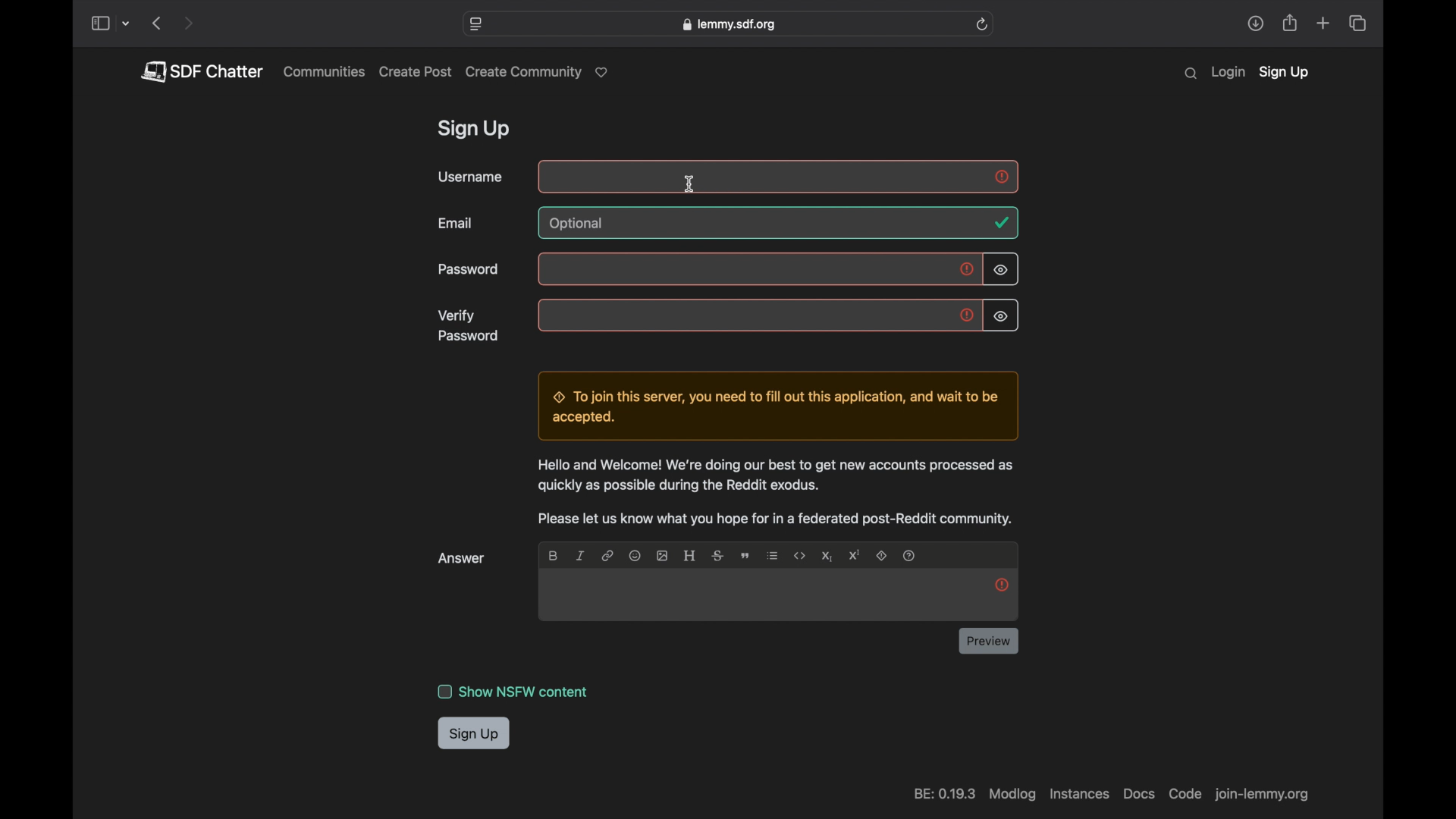  Describe the element at coordinates (579, 555) in the screenshot. I see `italic` at that location.